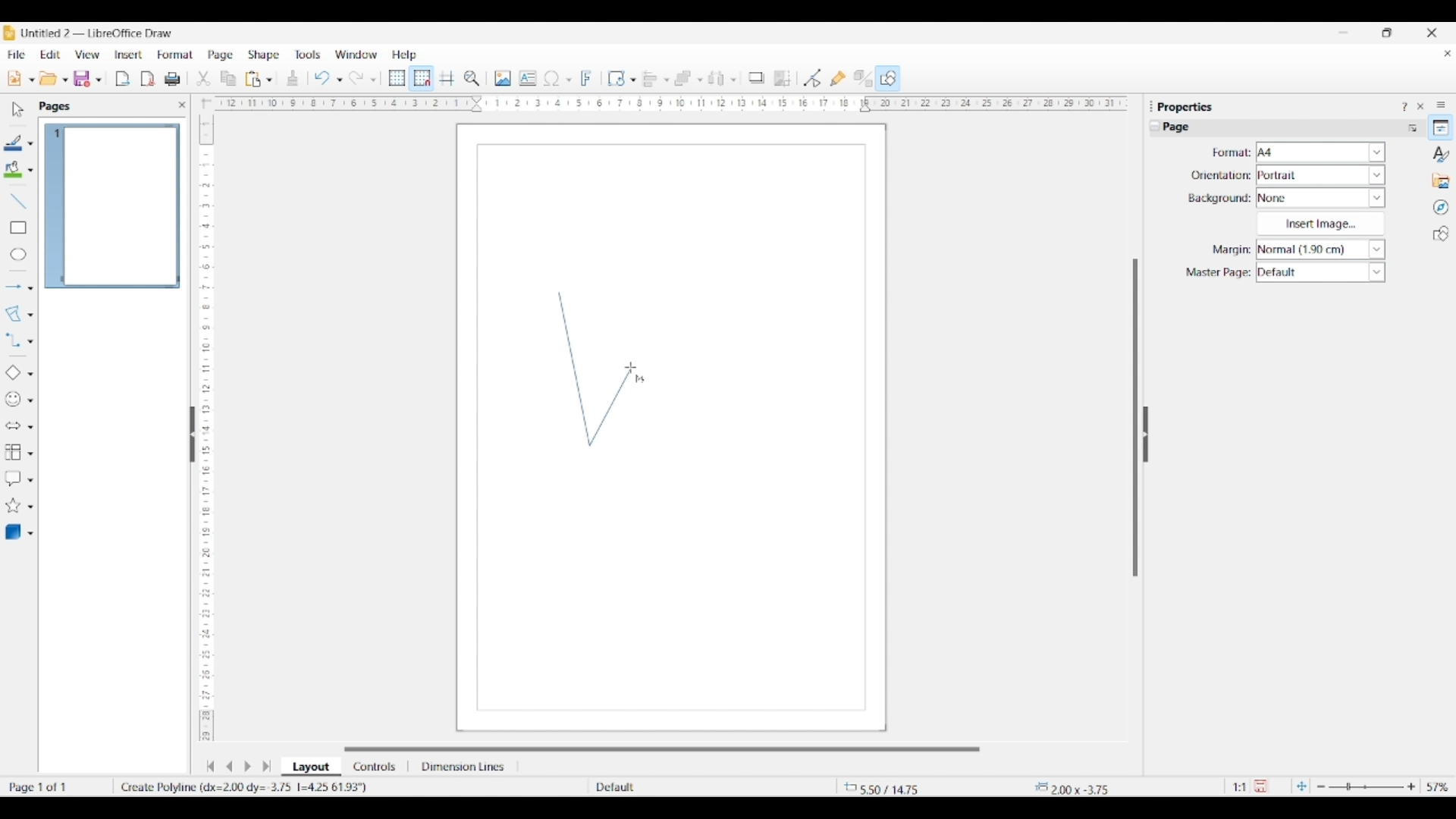 The width and height of the screenshot is (1456, 819). What do you see at coordinates (13, 169) in the screenshot?
I see `Selected fill color` at bounding box center [13, 169].